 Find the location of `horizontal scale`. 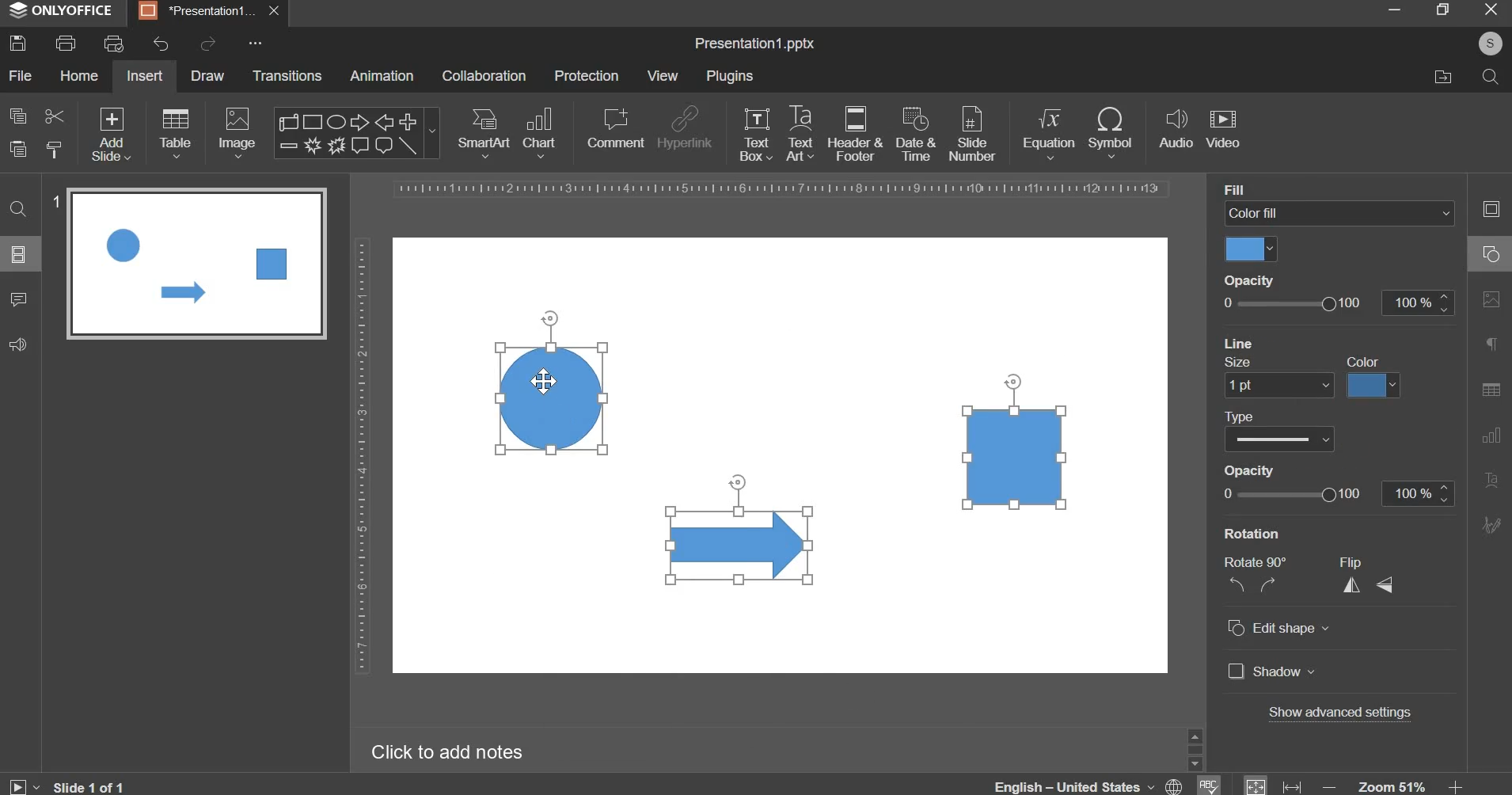

horizontal scale is located at coordinates (783, 189).